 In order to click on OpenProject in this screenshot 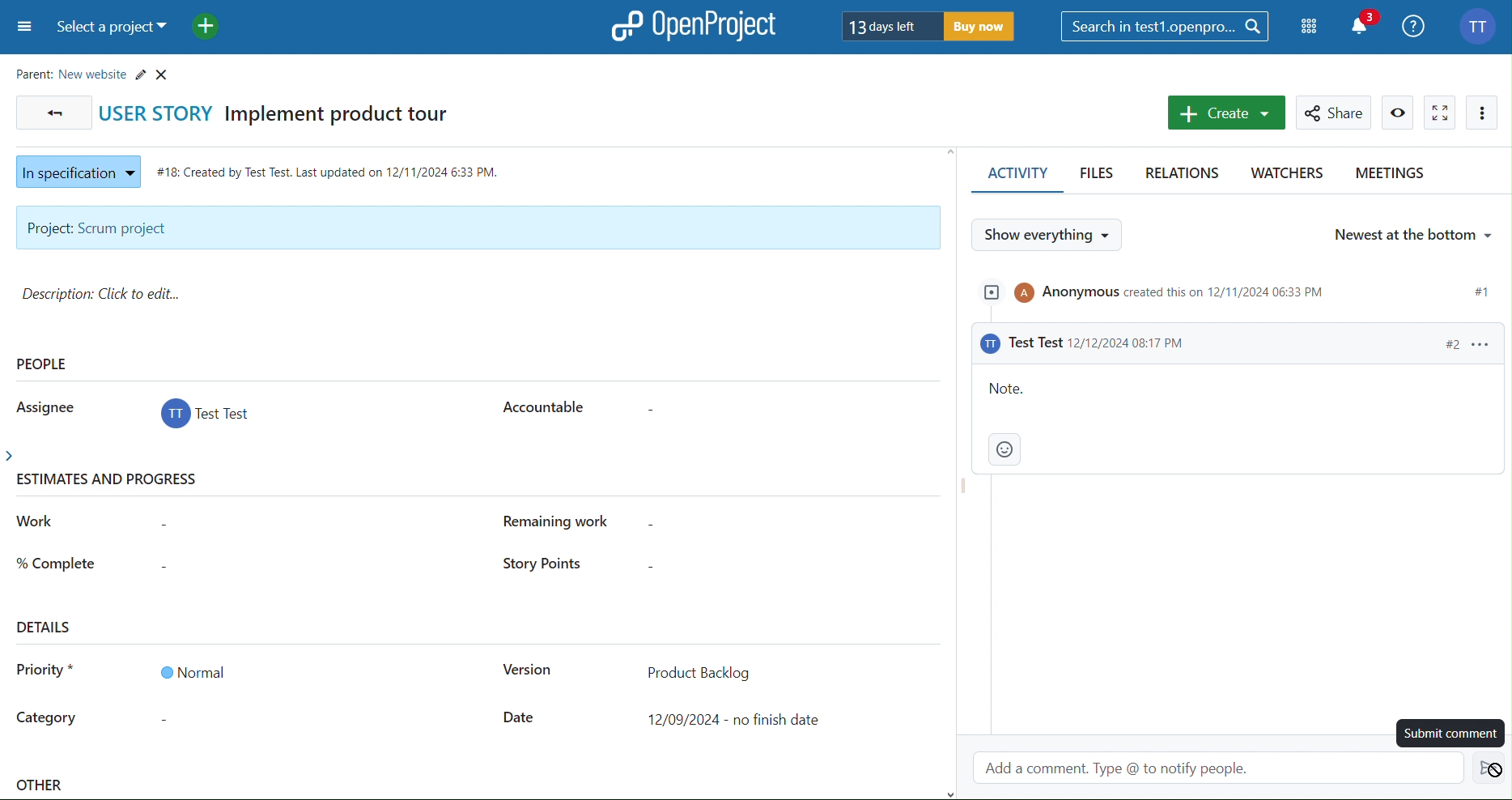, I will do `click(695, 25)`.